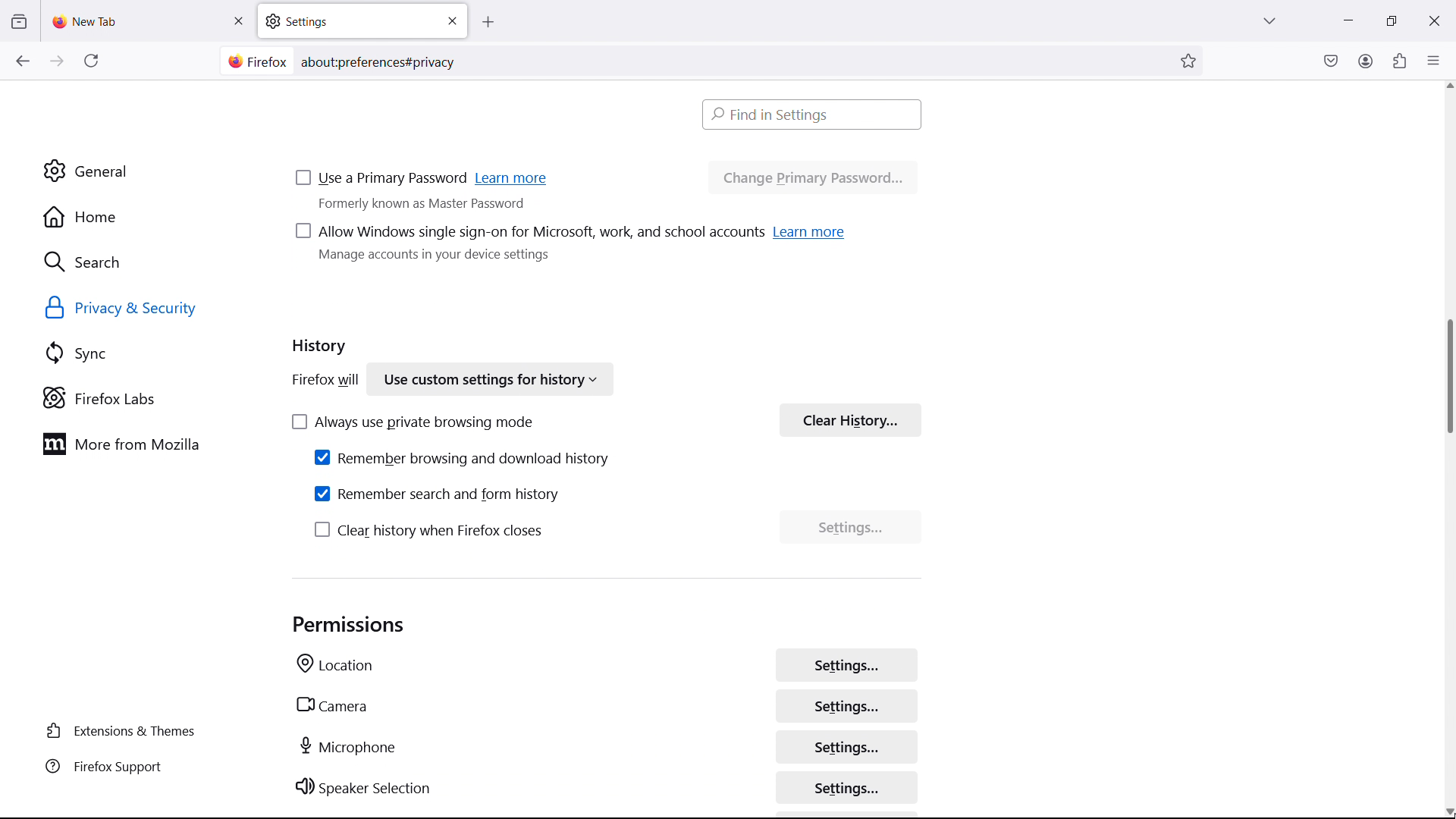 This screenshot has width=1456, height=819. I want to click on microphone permission settings, so click(846, 743).